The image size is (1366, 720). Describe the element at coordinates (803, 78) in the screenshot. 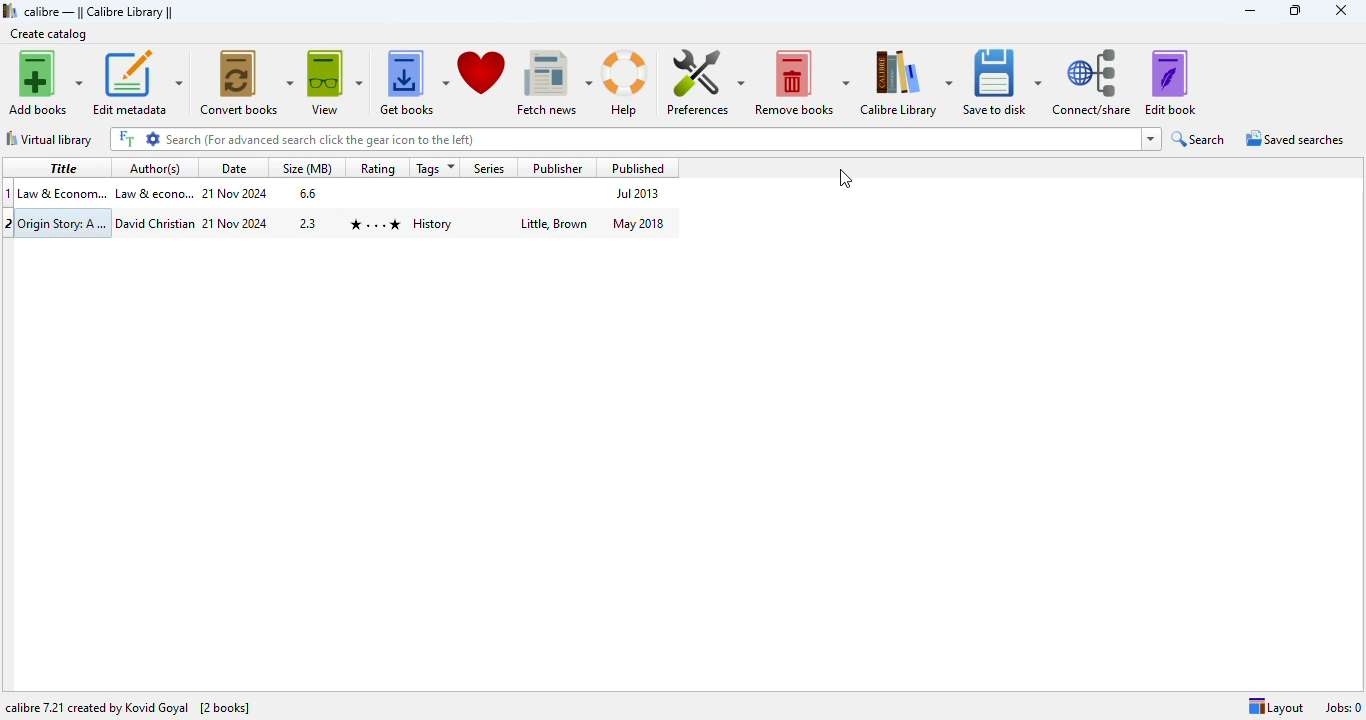

I see `remove books` at that location.